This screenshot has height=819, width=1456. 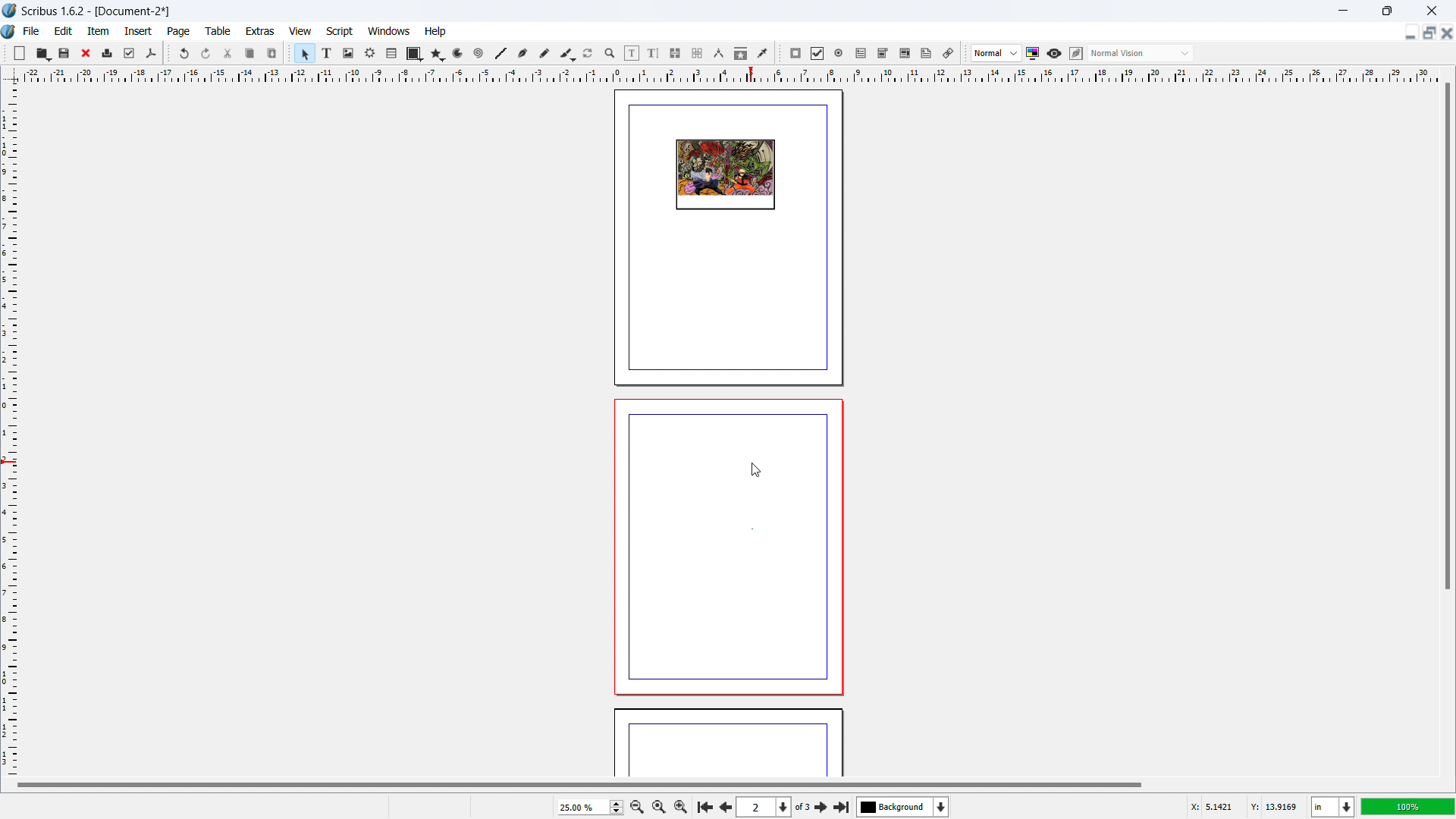 What do you see at coordinates (180, 32) in the screenshot?
I see `page` at bounding box center [180, 32].